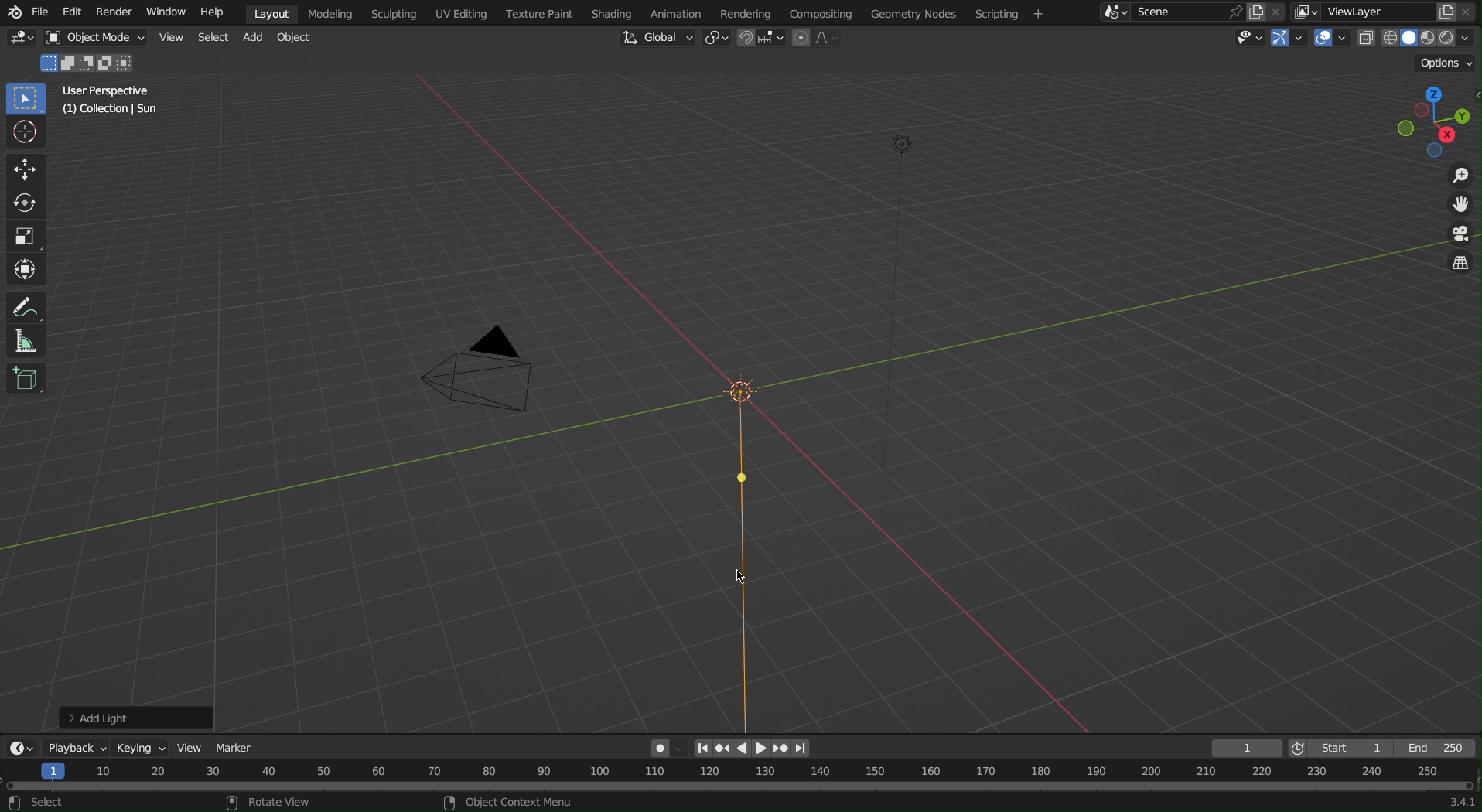 The height and width of the screenshot is (812, 1482). What do you see at coordinates (12, 13) in the screenshot?
I see `Logo` at bounding box center [12, 13].